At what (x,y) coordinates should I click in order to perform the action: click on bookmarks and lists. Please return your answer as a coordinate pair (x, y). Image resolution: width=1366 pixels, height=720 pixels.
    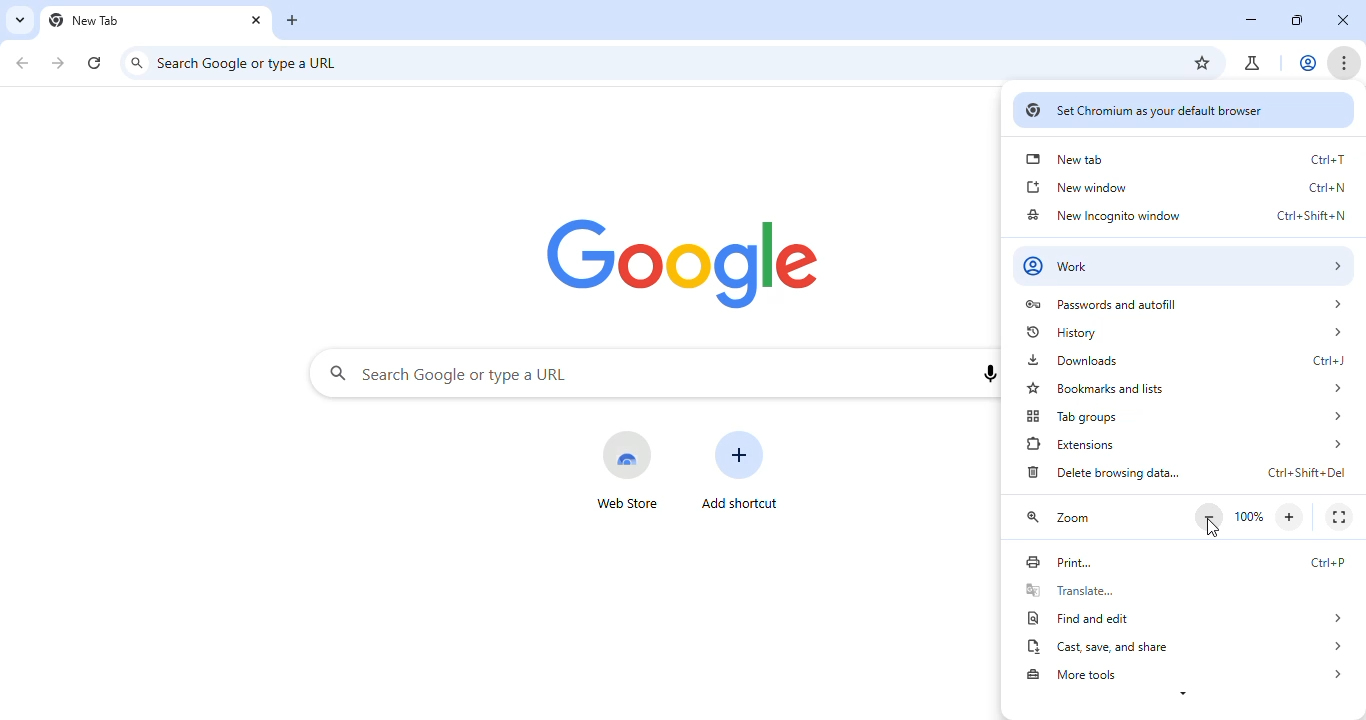
    Looking at the image, I should click on (1185, 390).